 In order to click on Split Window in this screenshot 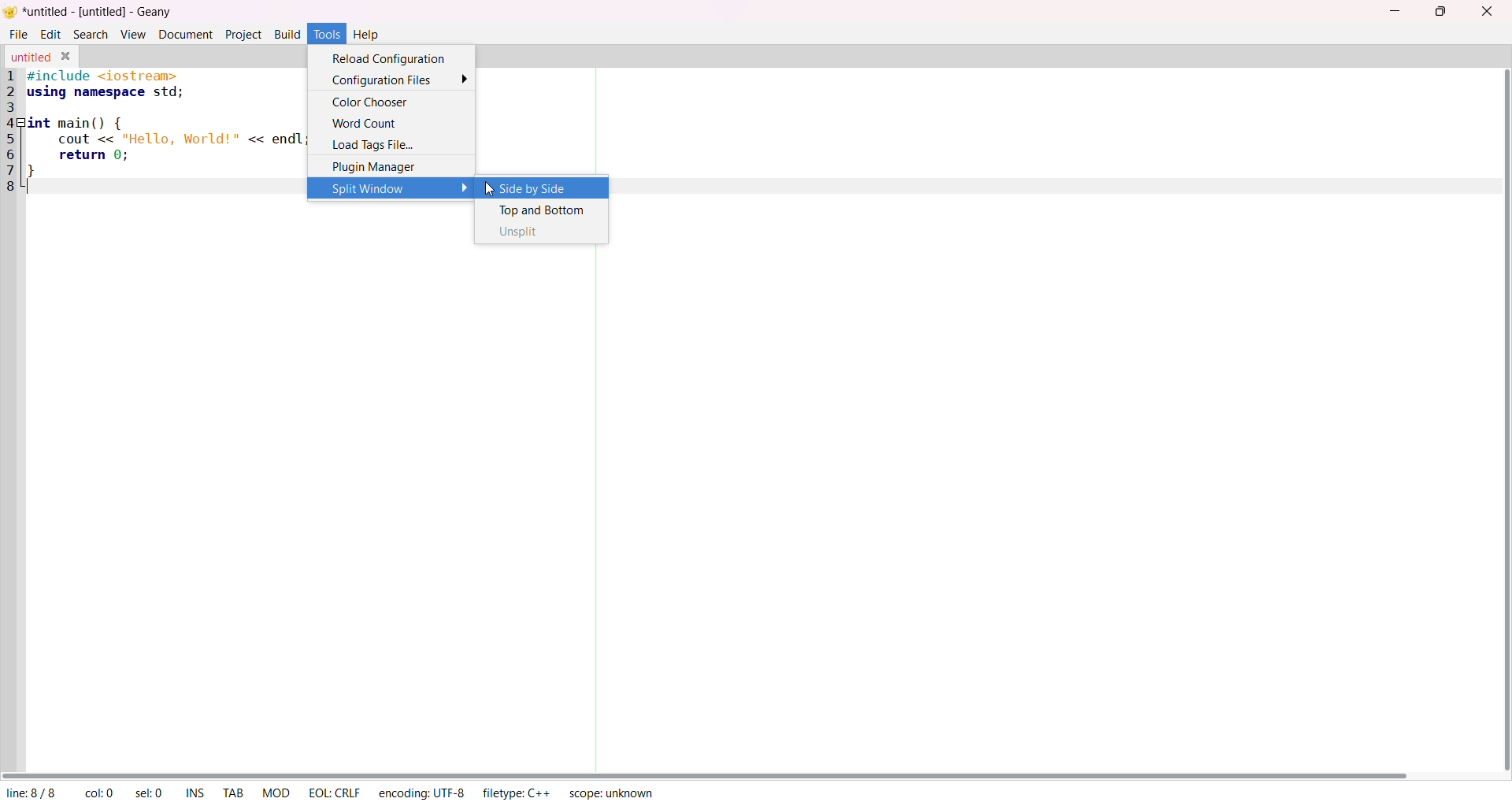, I will do `click(393, 189)`.